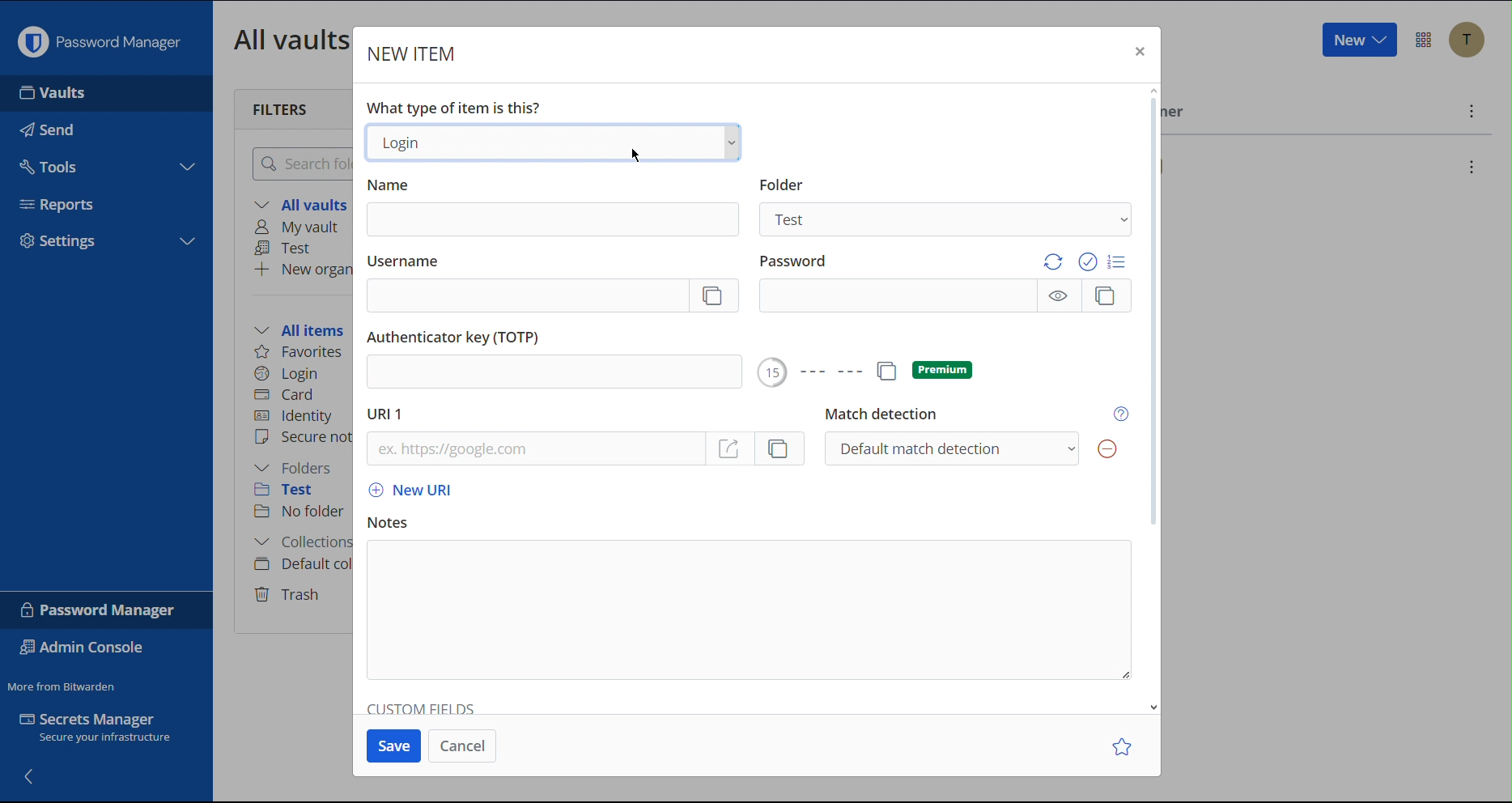 The image size is (1512, 803). Describe the element at coordinates (636, 155) in the screenshot. I see `Cursor` at that location.